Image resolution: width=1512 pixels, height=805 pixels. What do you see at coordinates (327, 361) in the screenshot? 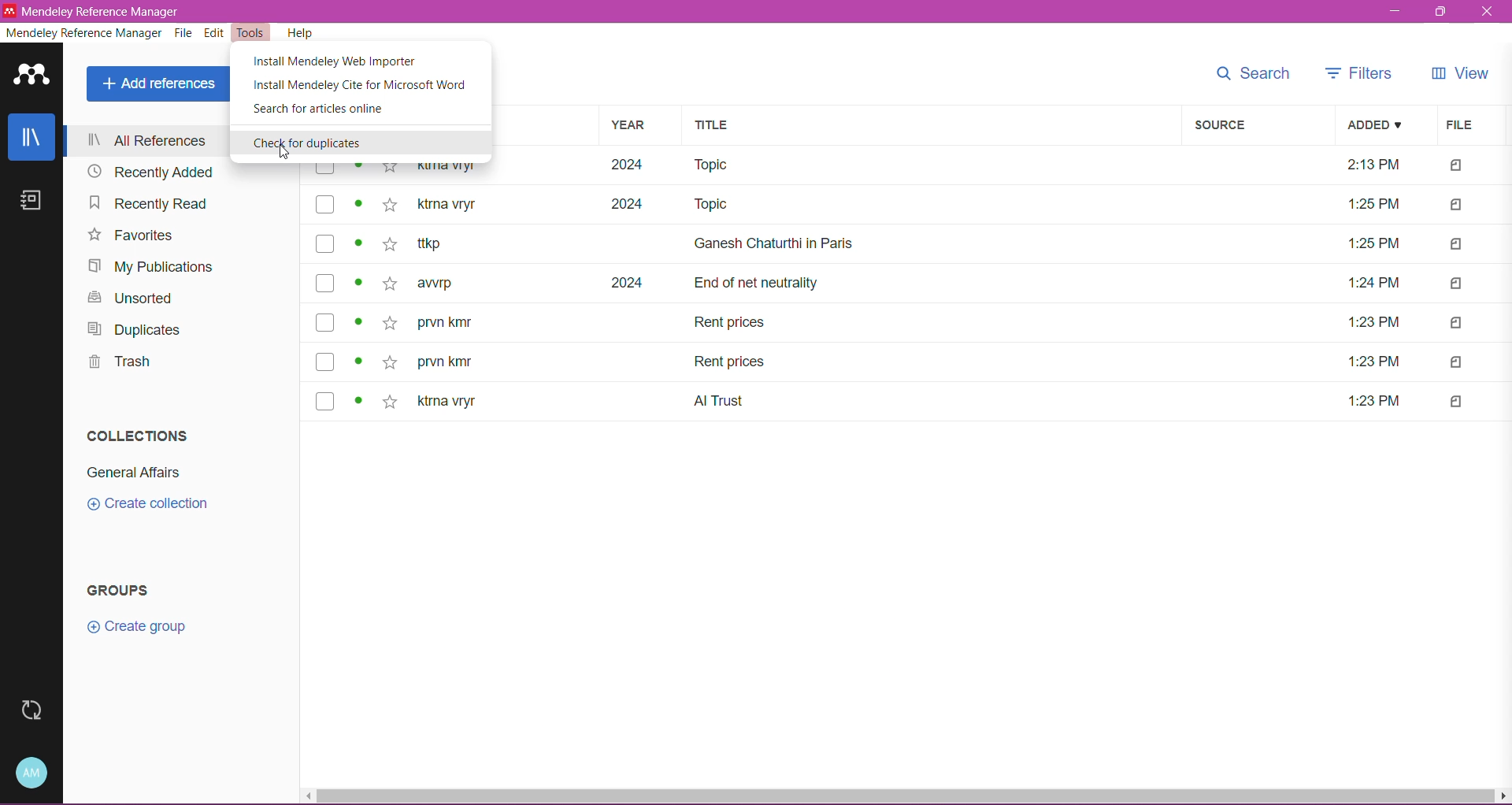
I see `checkbox` at bounding box center [327, 361].